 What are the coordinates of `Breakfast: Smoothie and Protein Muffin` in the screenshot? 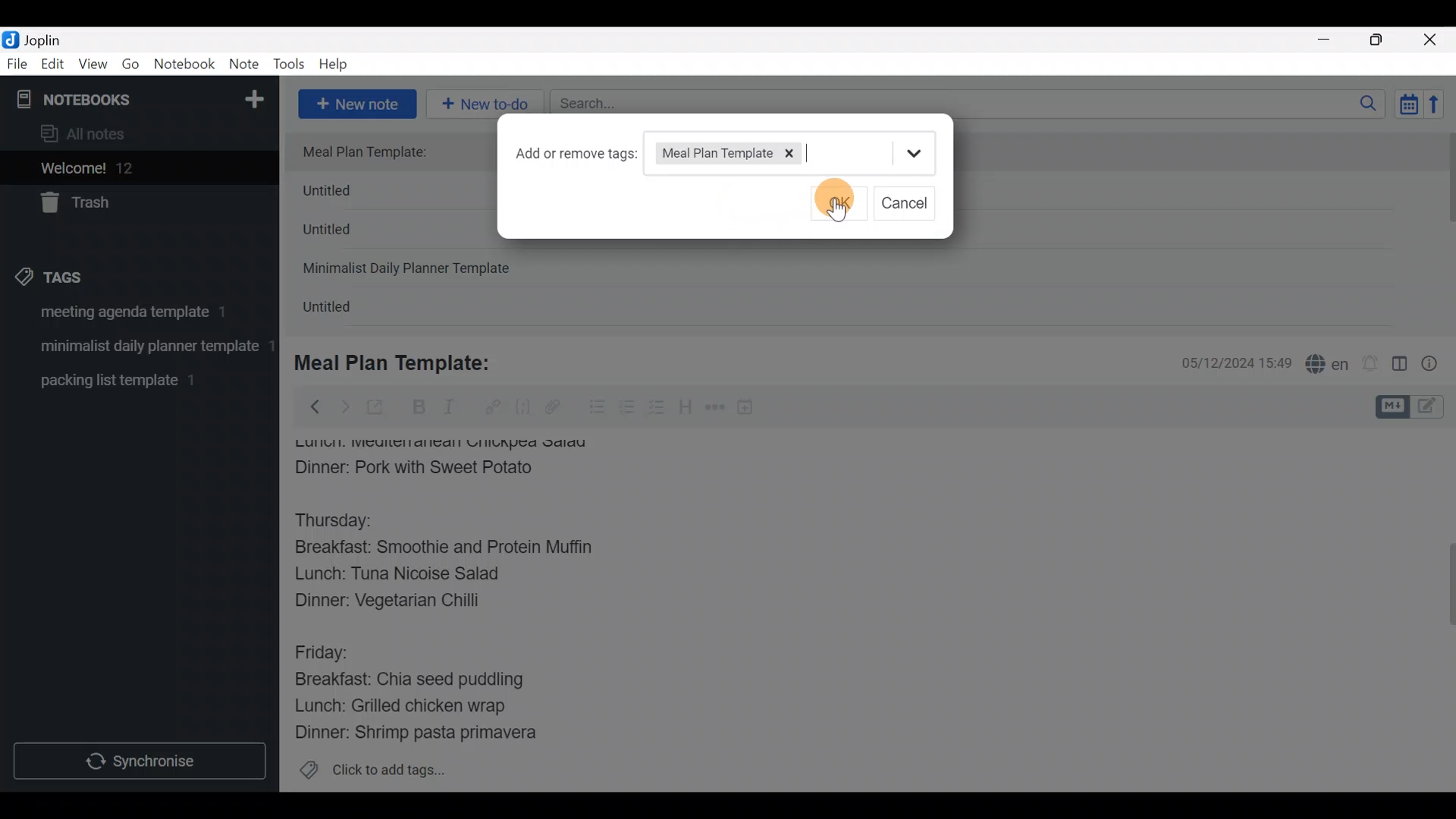 It's located at (444, 551).